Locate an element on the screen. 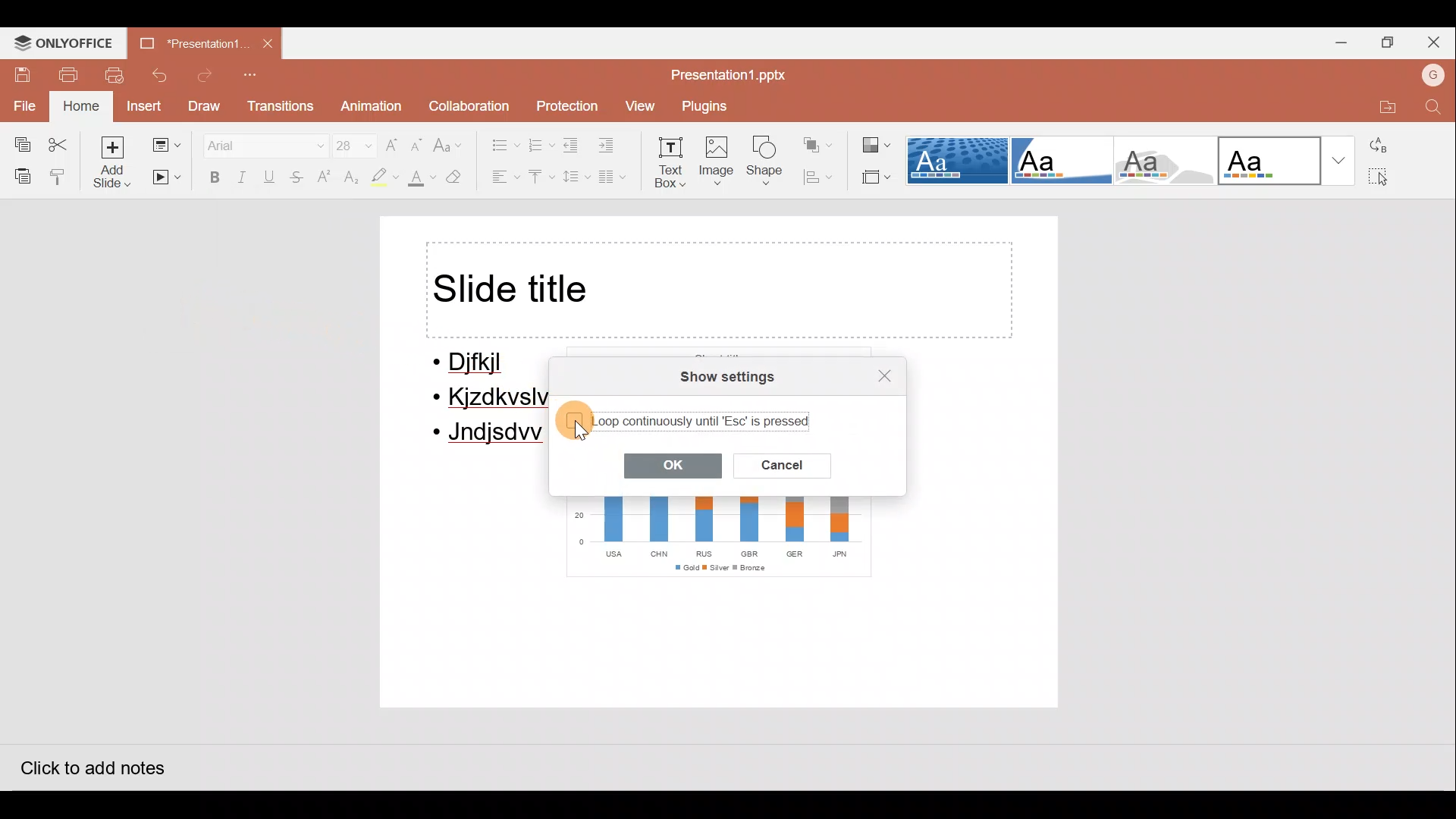  Plugins is located at coordinates (709, 105).